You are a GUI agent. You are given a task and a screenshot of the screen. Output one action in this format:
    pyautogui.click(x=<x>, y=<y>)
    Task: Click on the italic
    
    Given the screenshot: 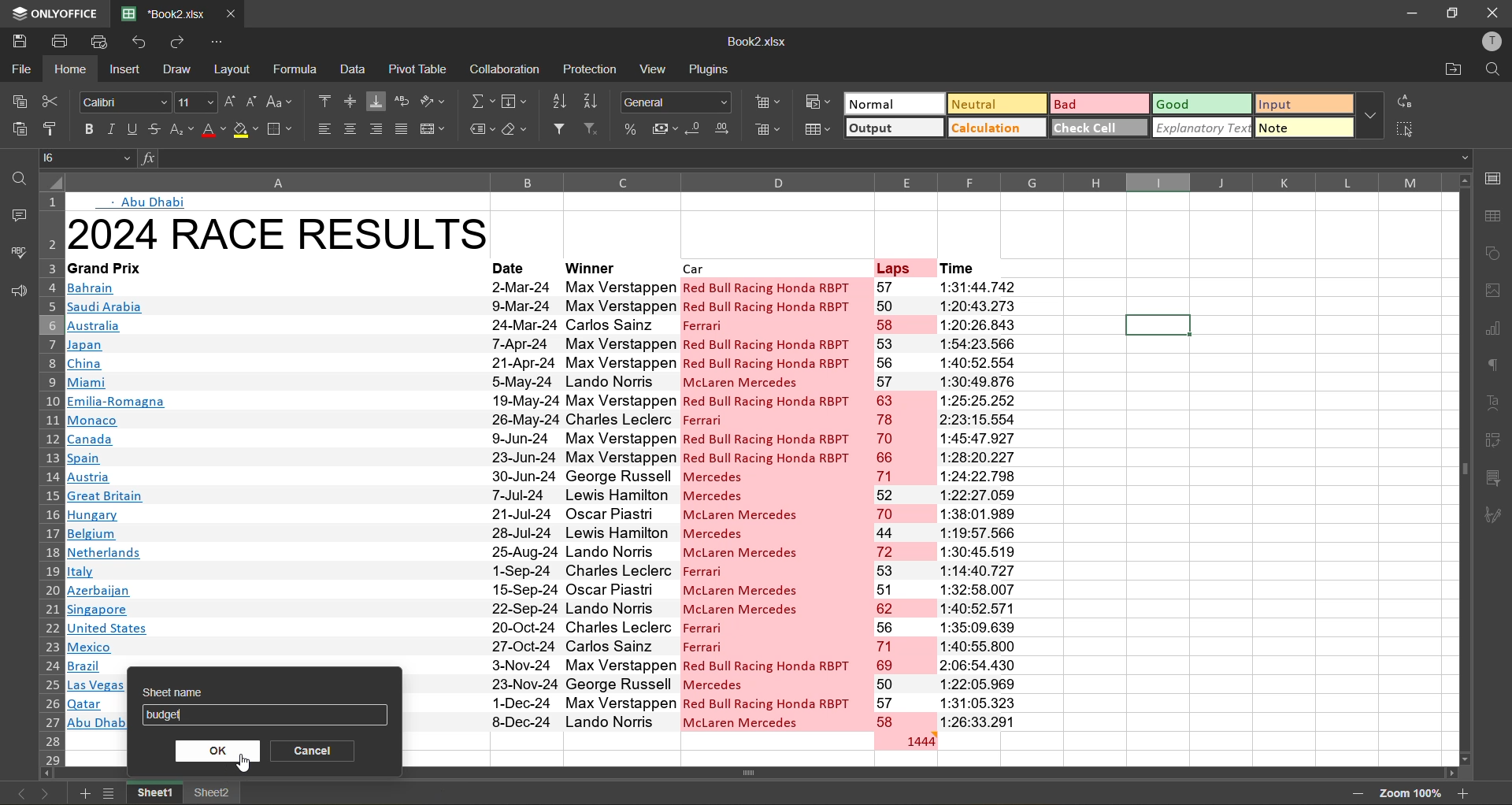 What is the action you would take?
    pyautogui.click(x=111, y=128)
    